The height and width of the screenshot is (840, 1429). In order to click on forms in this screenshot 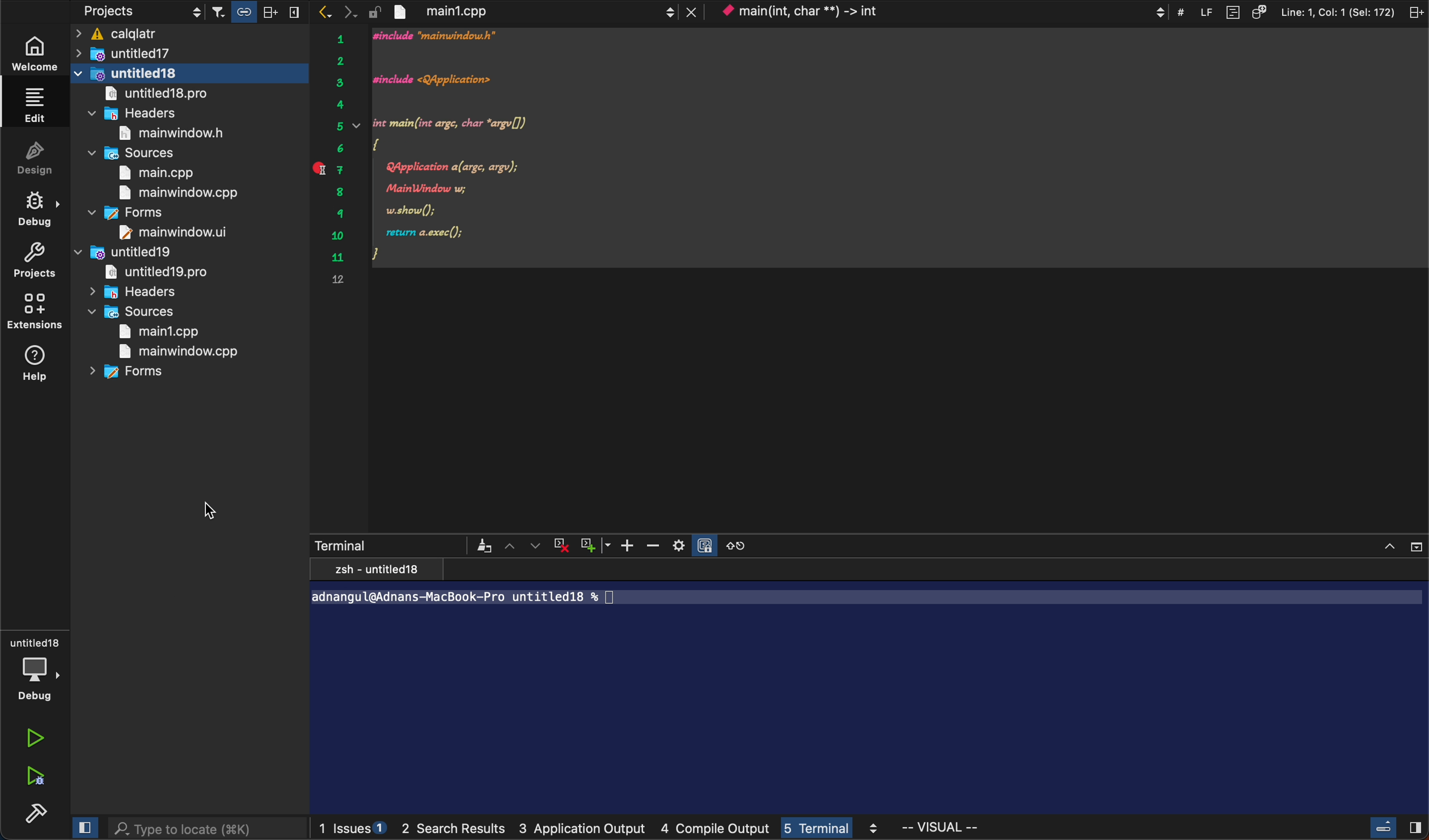, I will do `click(132, 375)`.